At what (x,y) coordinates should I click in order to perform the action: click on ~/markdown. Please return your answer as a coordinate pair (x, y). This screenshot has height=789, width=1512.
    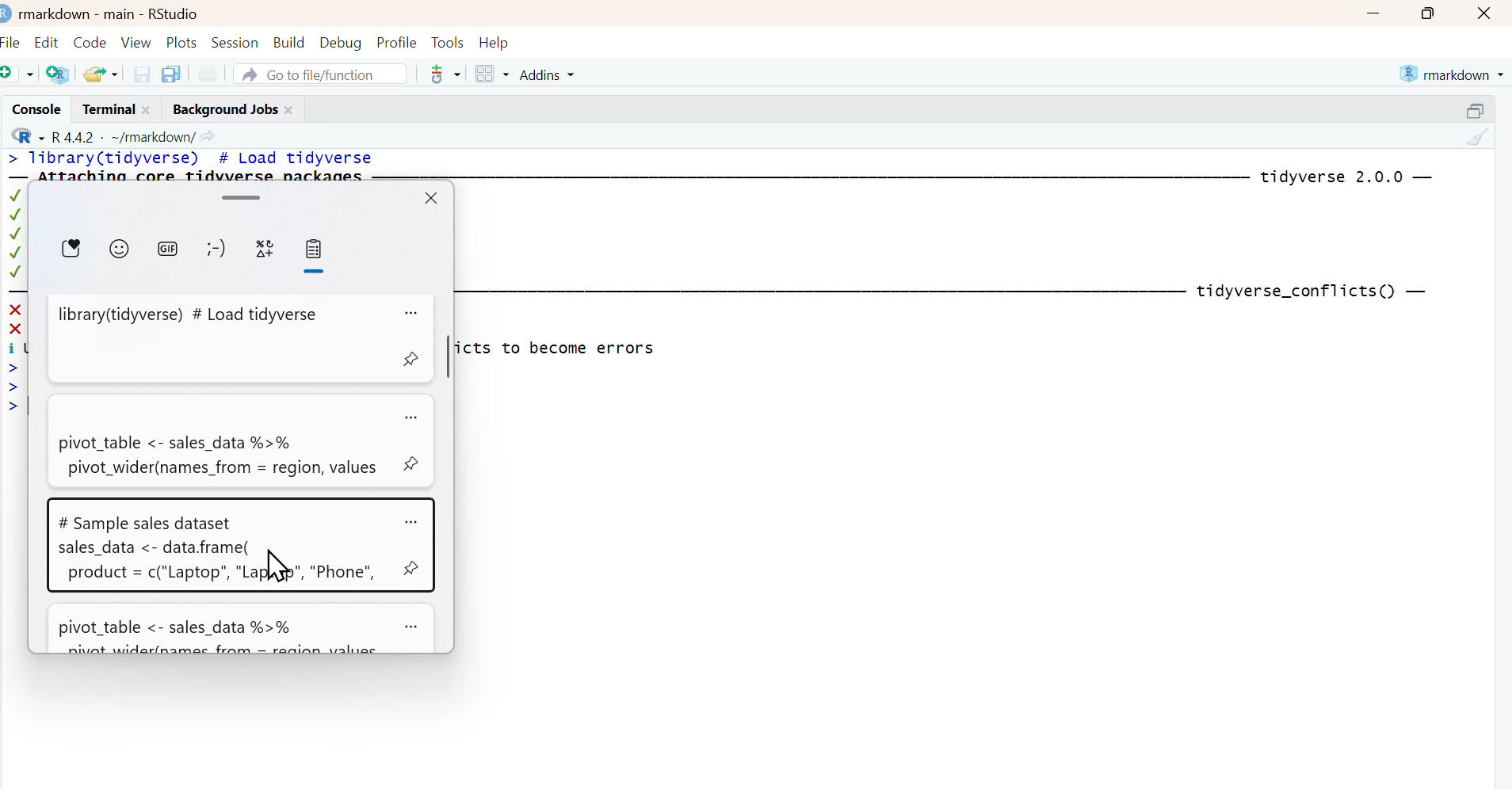
    Looking at the image, I should click on (151, 135).